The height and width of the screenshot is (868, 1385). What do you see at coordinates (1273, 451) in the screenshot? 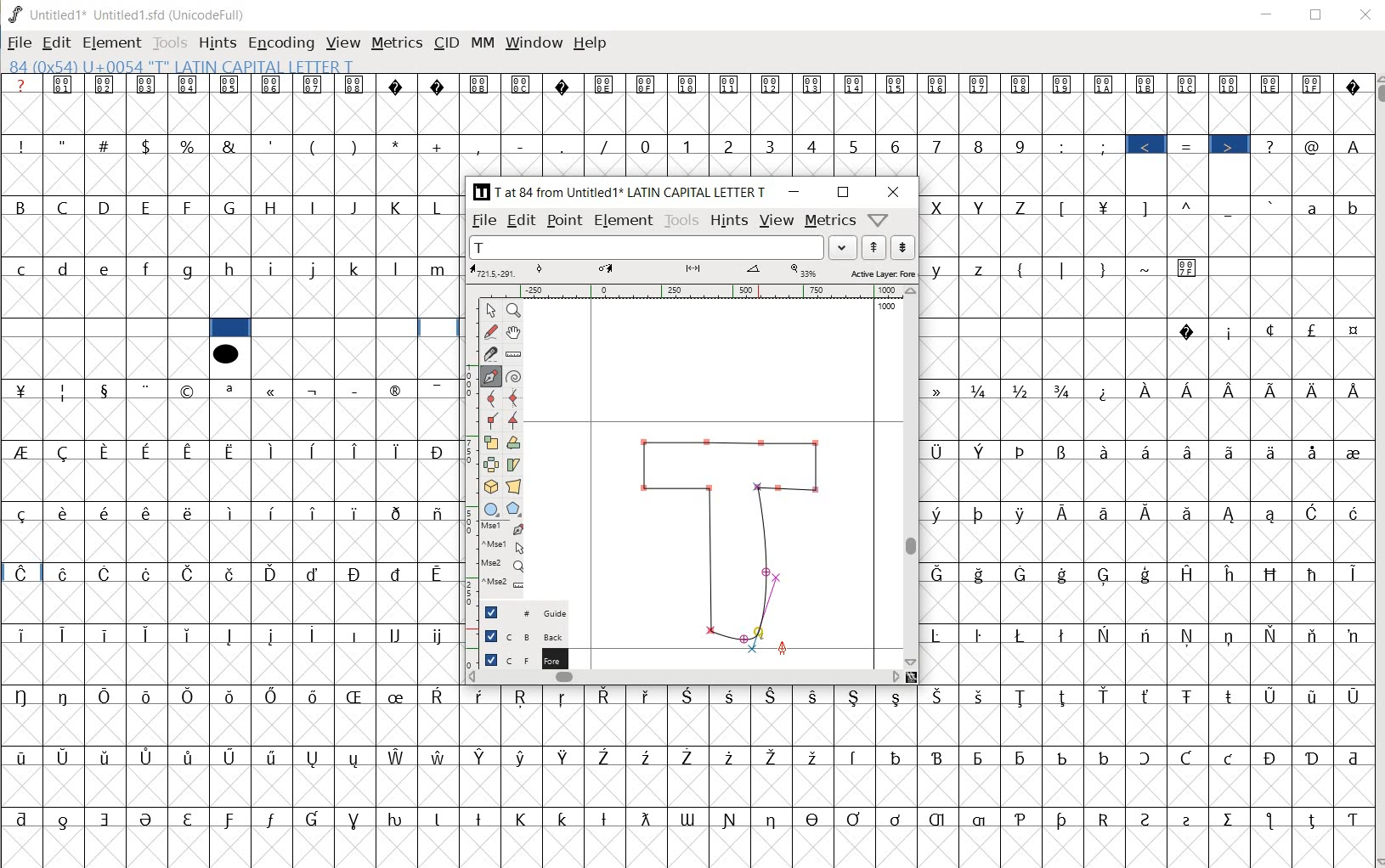
I see `Symbol` at bounding box center [1273, 451].